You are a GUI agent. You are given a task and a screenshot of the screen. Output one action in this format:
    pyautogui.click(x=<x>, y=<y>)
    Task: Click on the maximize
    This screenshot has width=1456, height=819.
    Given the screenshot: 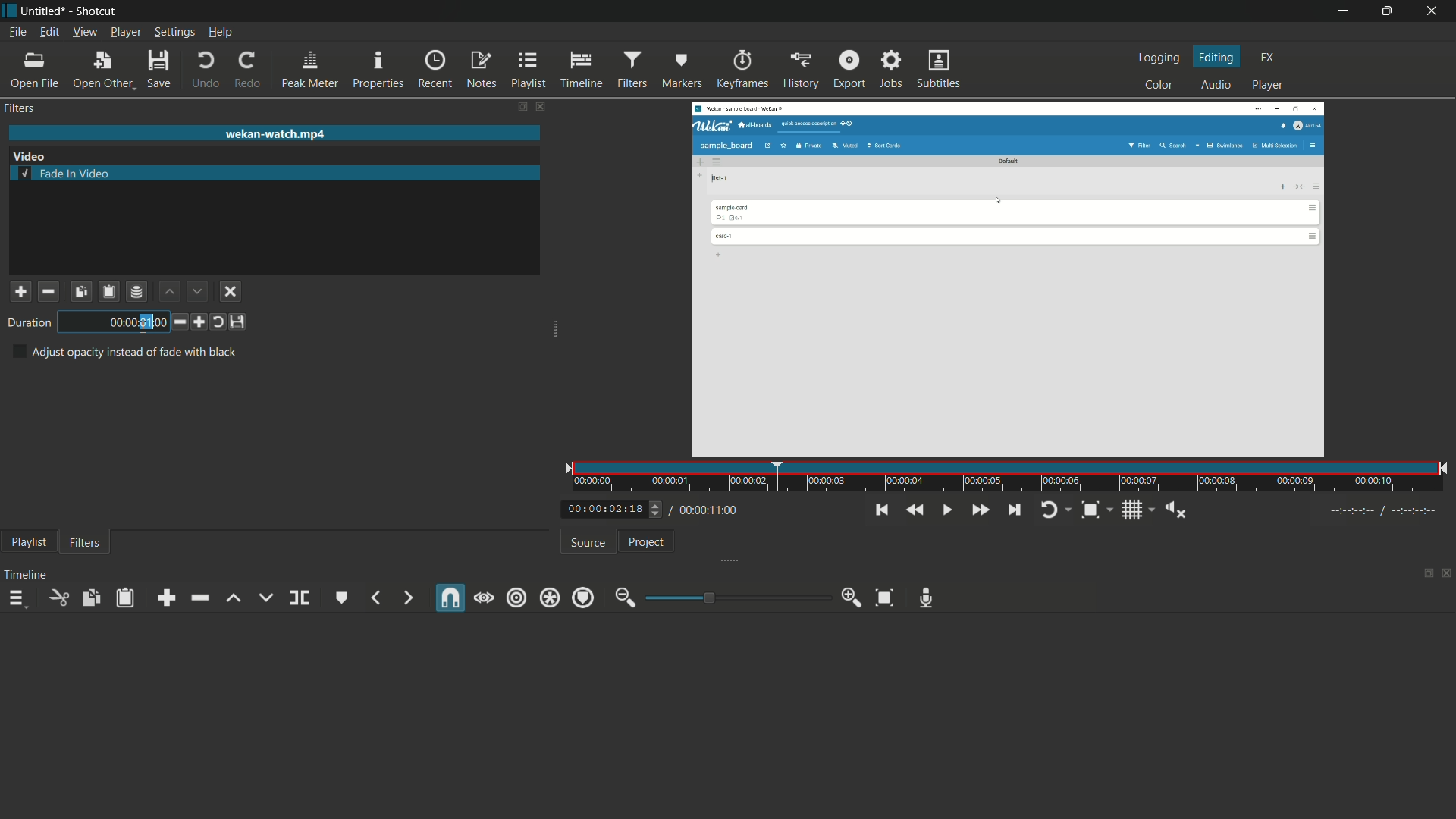 What is the action you would take?
    pyautogui.click(x=1389, y=11)
    